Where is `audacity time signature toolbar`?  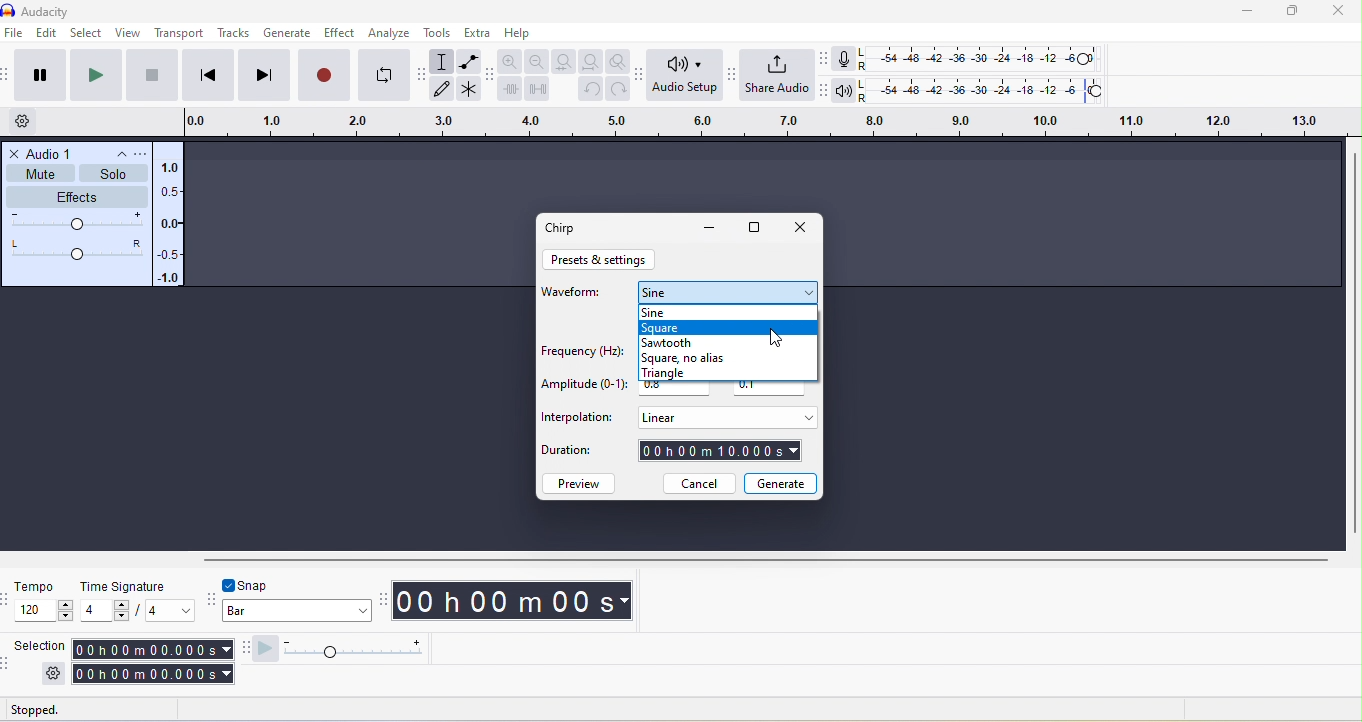 audacity time signature toolbar is located at coordinates (9, 599).